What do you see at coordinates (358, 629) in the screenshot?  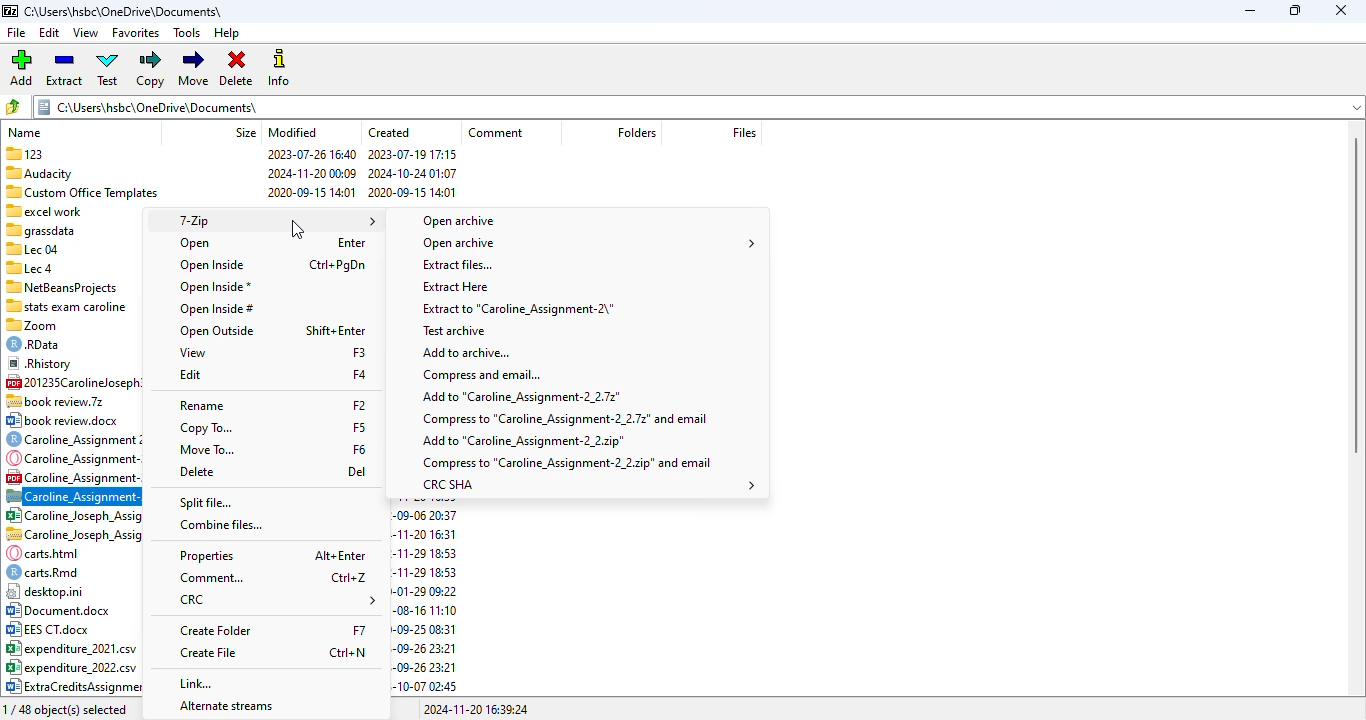 I see `shortcut for create folder` at bounding box center [358, 629].